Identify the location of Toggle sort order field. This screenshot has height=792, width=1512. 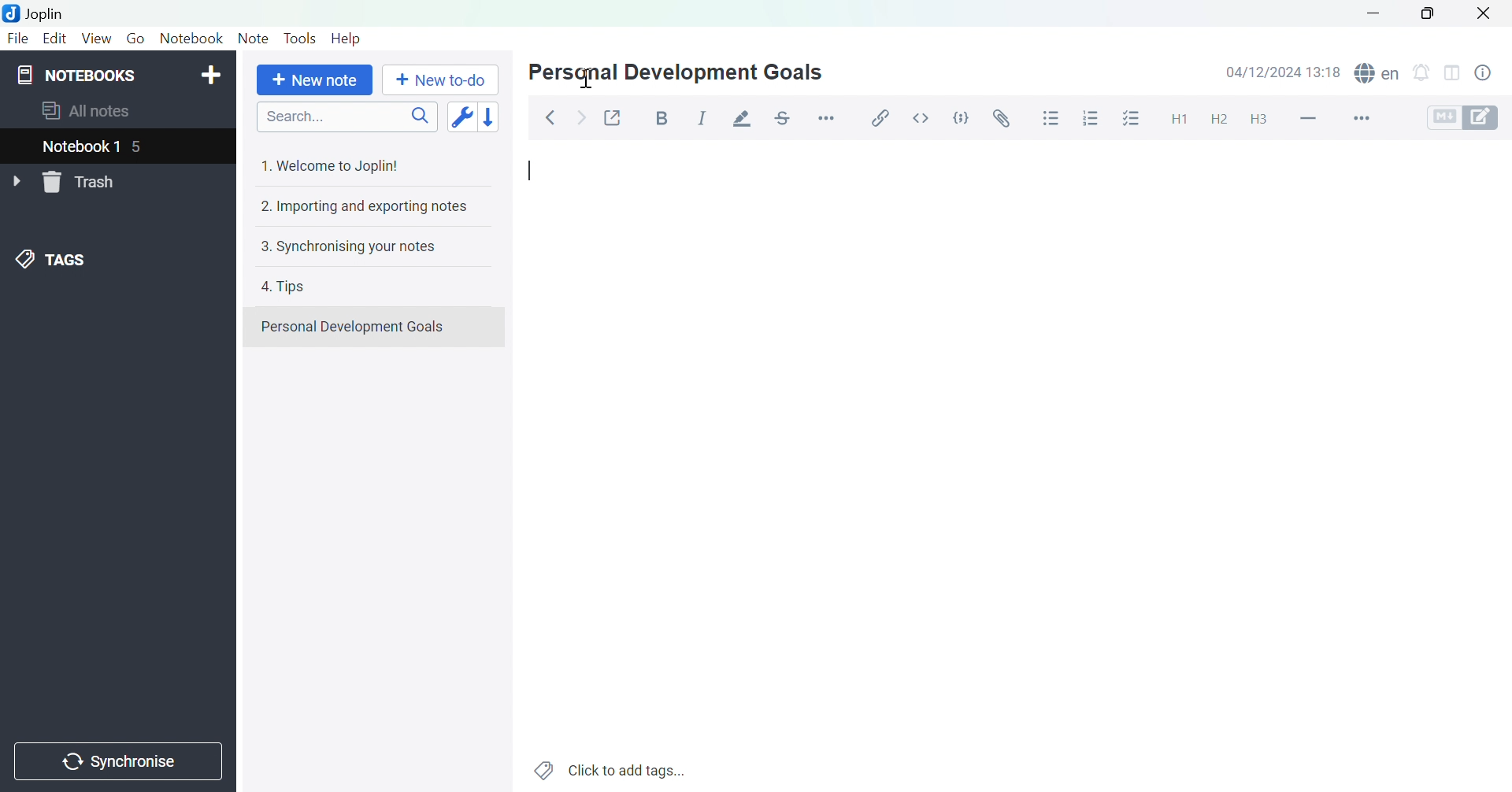
(460, 116).